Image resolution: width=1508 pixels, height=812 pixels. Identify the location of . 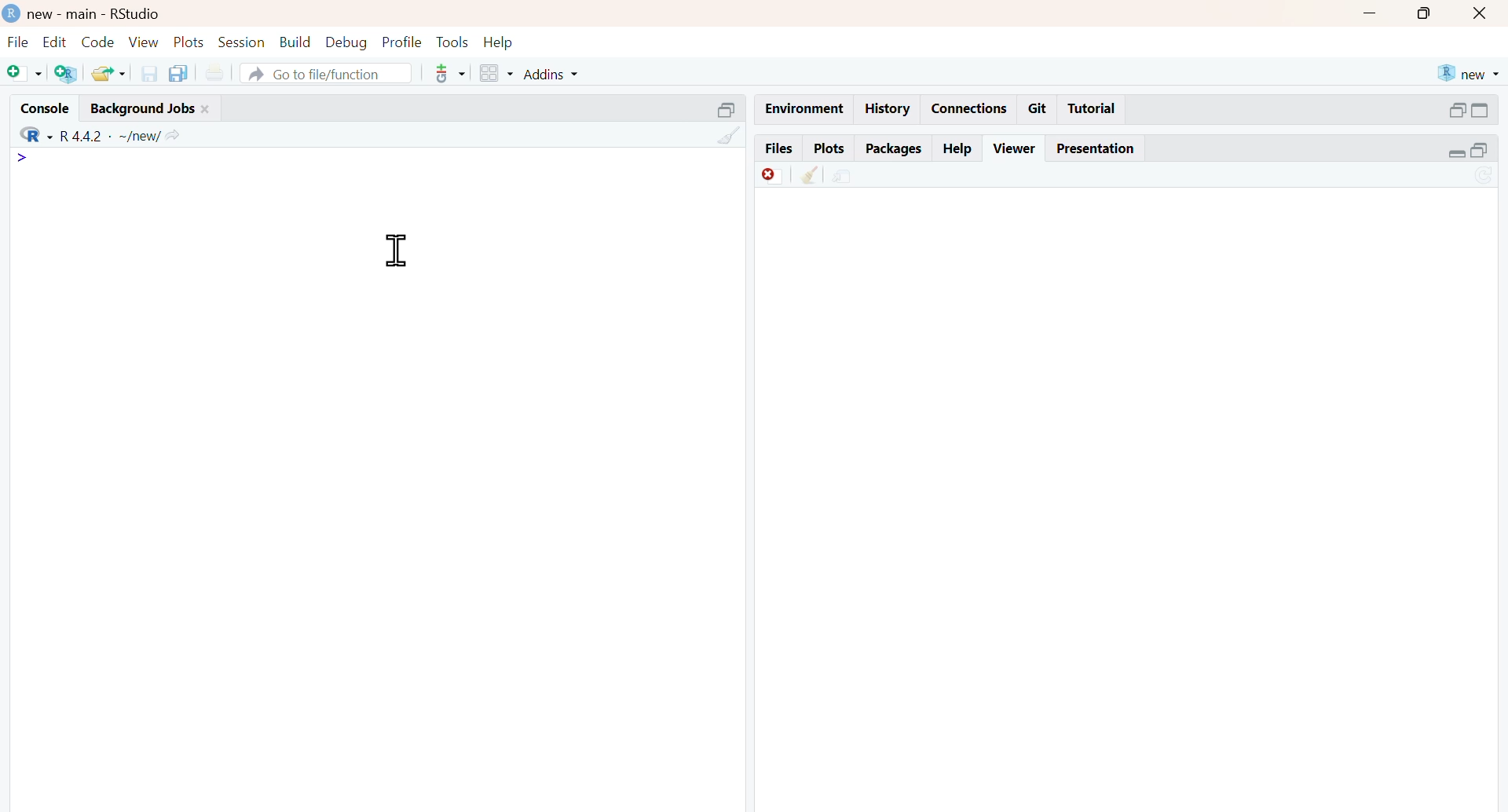
(727, 110).